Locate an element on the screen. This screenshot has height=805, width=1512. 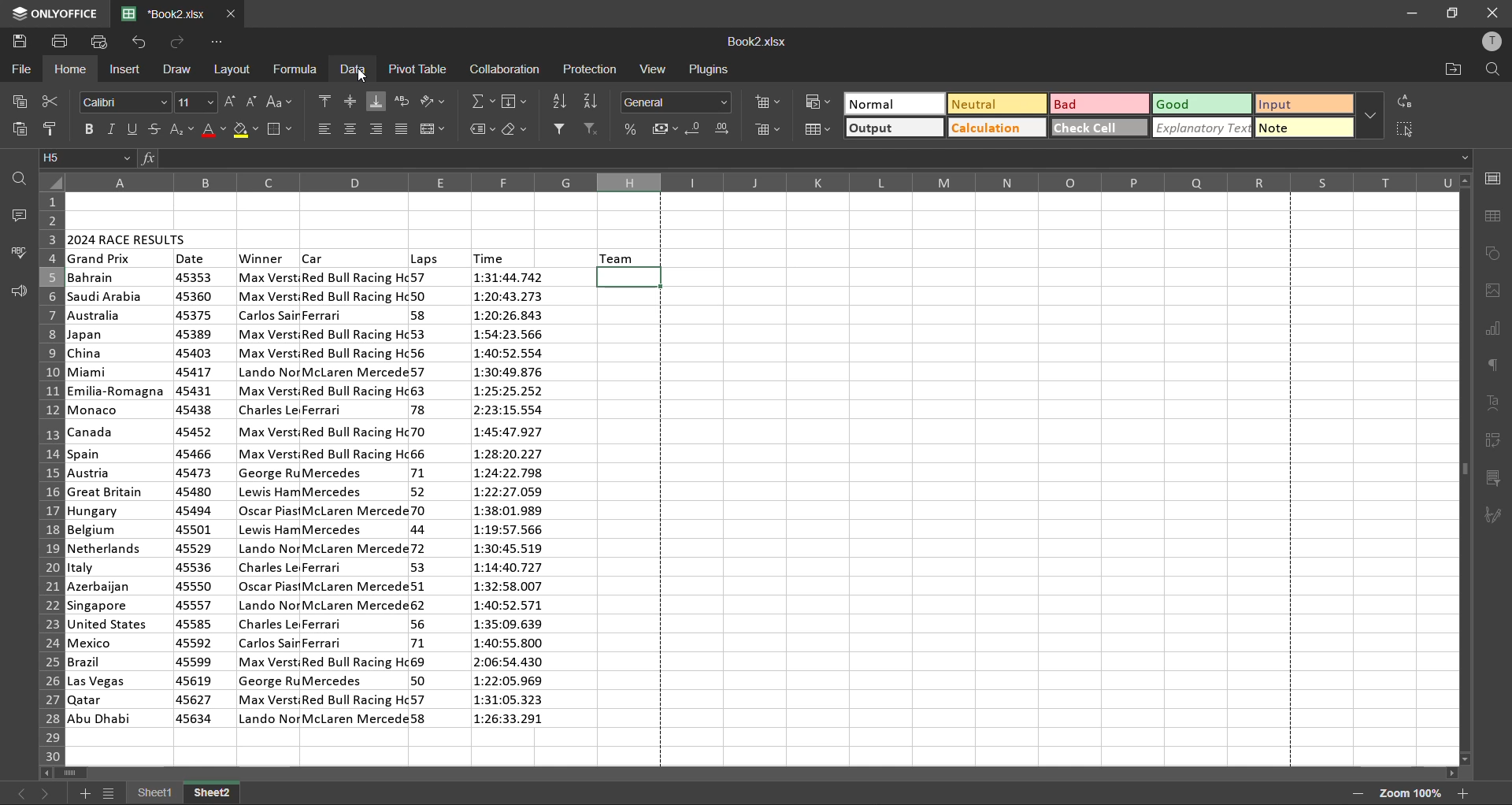
save is located at coordinates (24, 42).